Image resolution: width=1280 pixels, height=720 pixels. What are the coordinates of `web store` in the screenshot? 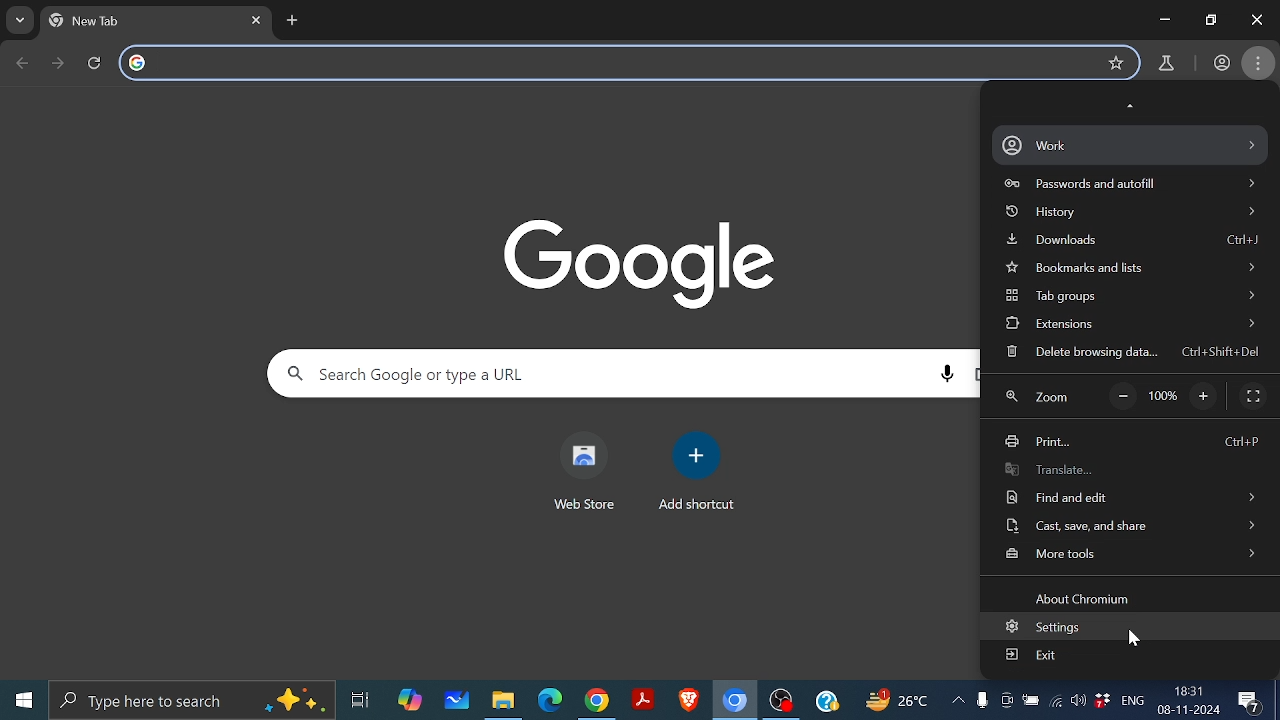 It's located at (581, 507).